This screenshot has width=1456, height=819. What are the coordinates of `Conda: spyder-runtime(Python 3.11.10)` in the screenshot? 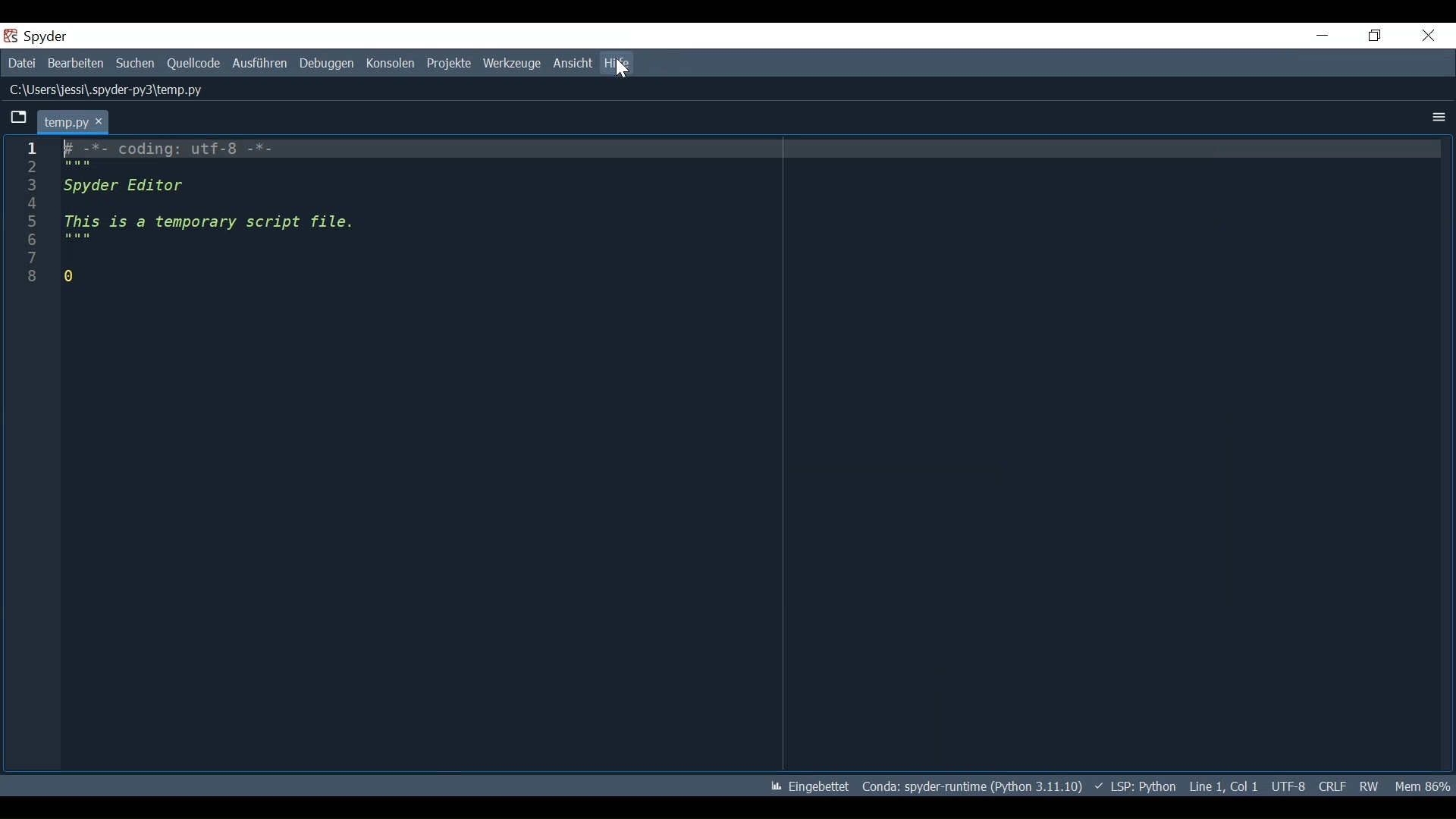 It's located at (970, 786).